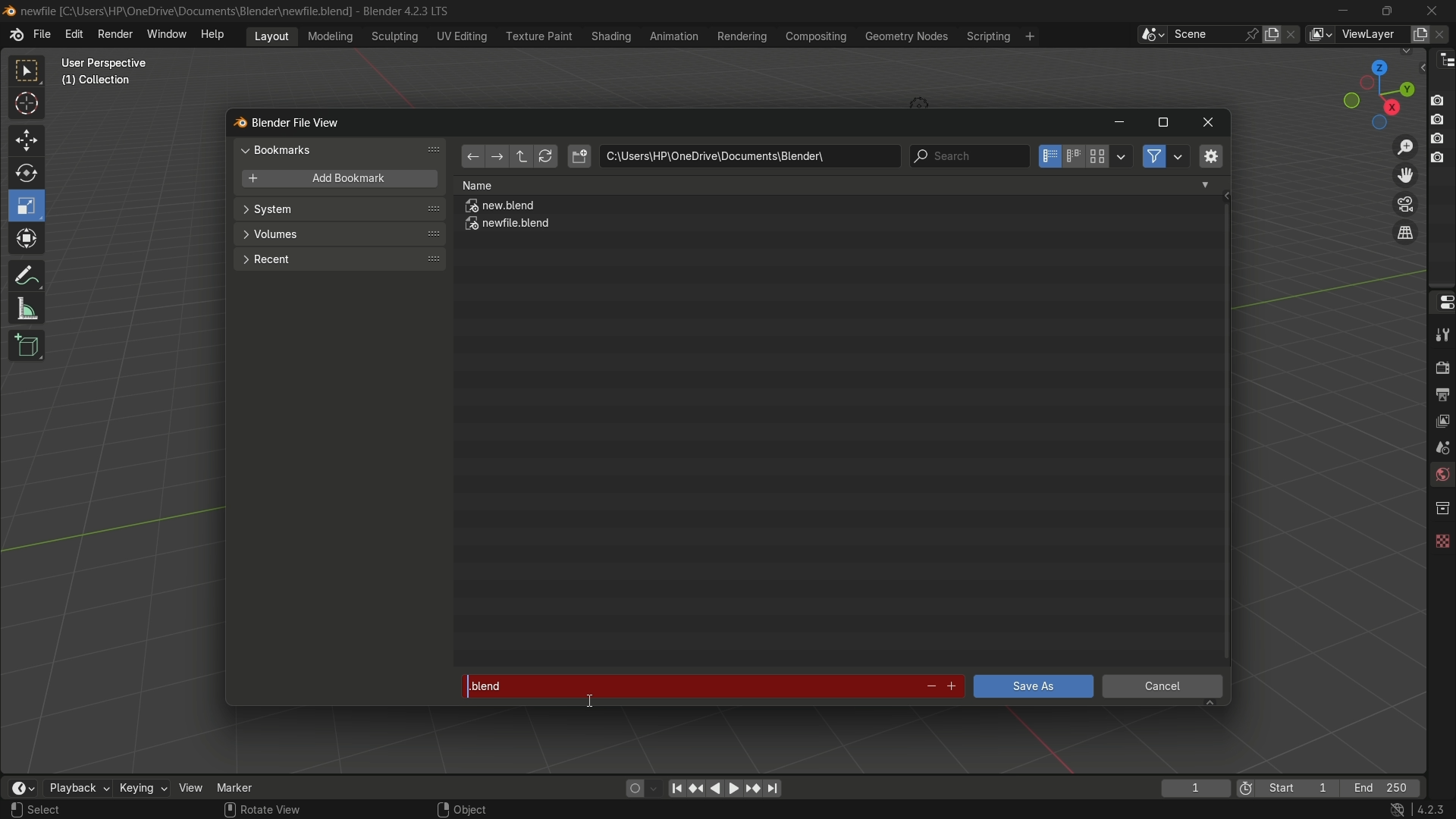  Describe the element at coordinates (674, 36) in the screenshot. I see `animation menu` at that location.